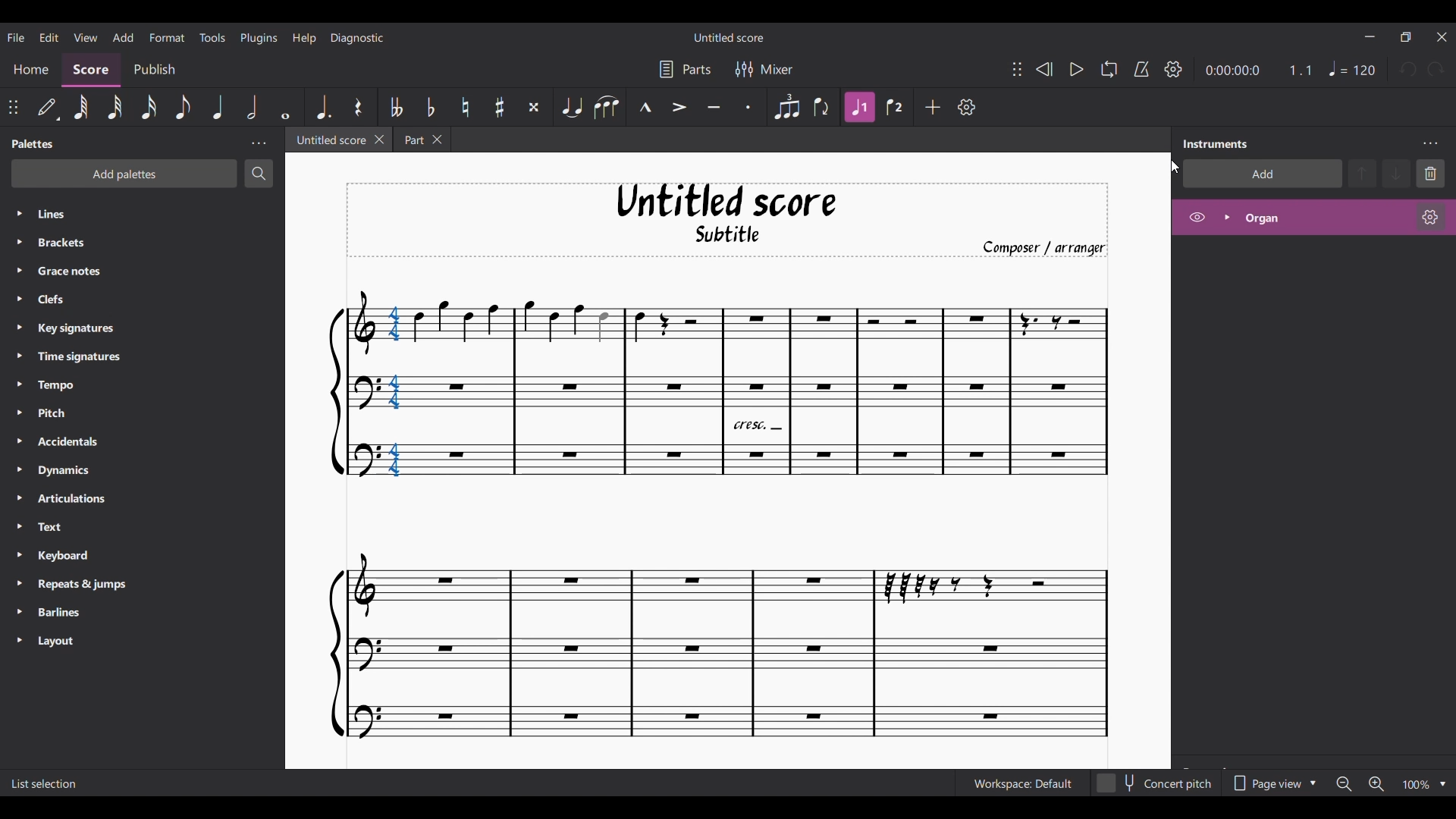  What do you see at coordinates (1076, 69) in the screenshot?
I see `Play` at bounding box center [1076, 69].